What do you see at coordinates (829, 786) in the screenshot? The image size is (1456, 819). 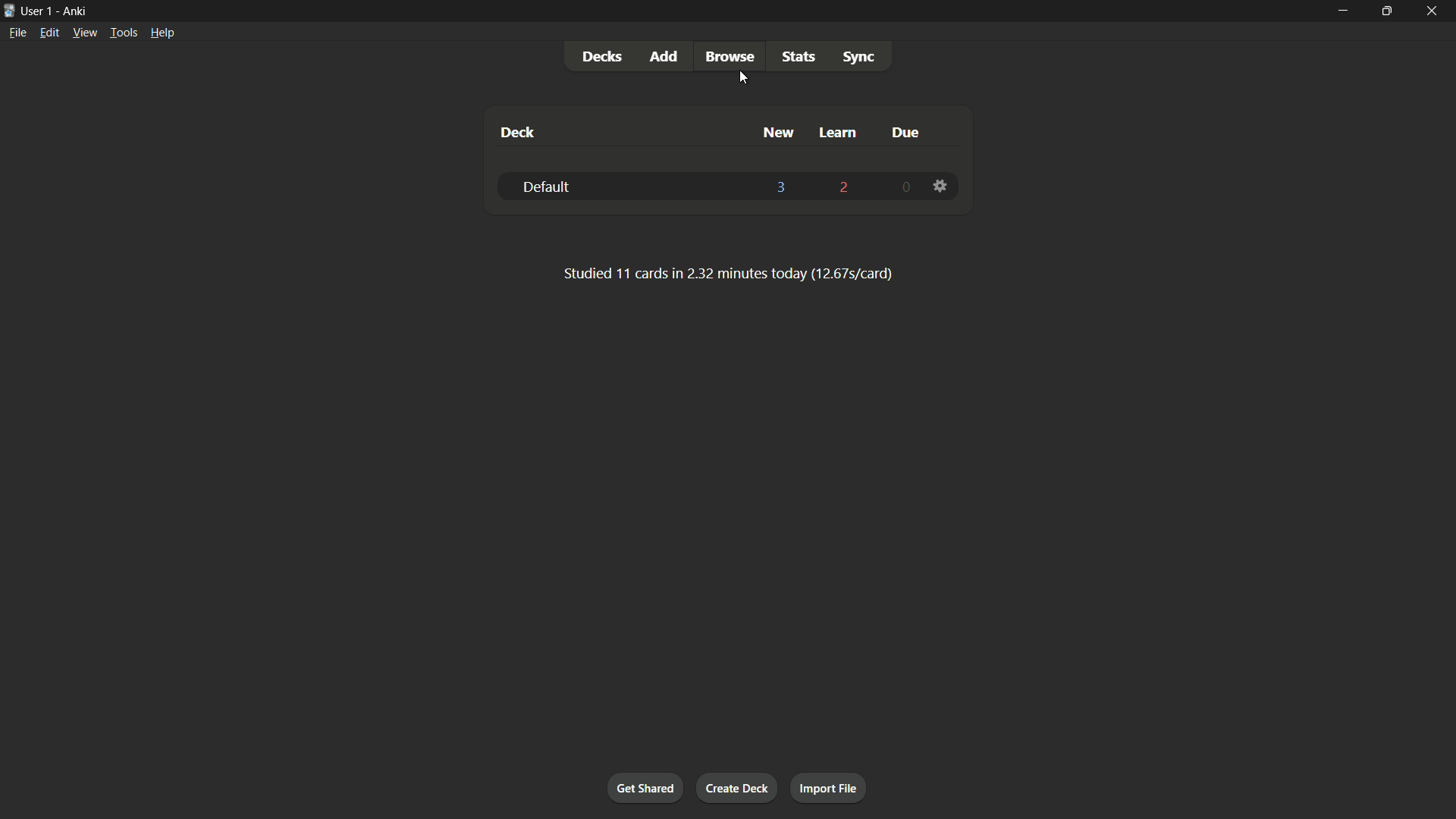 I see `import file` at bounding box center [829, 786].